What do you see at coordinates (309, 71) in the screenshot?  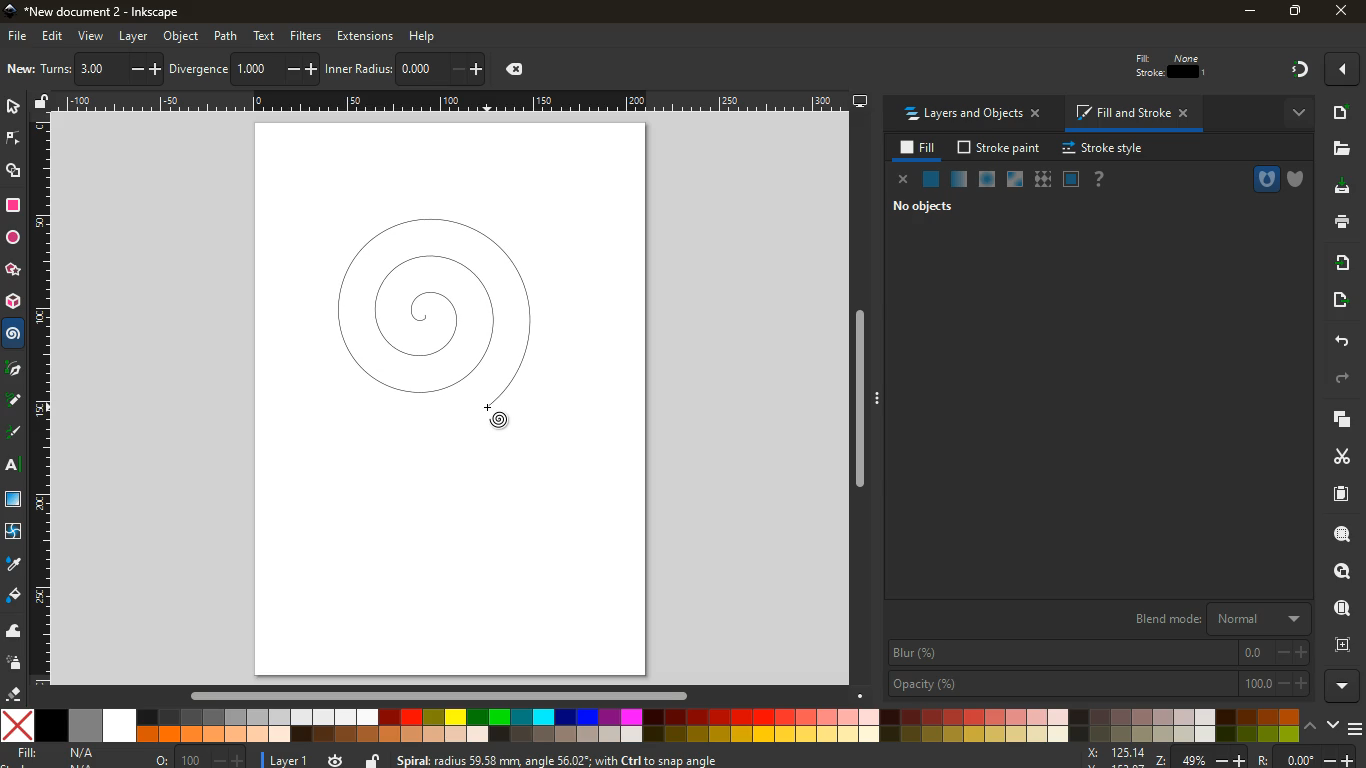 I see `middle` at bounding box center [309, 71].